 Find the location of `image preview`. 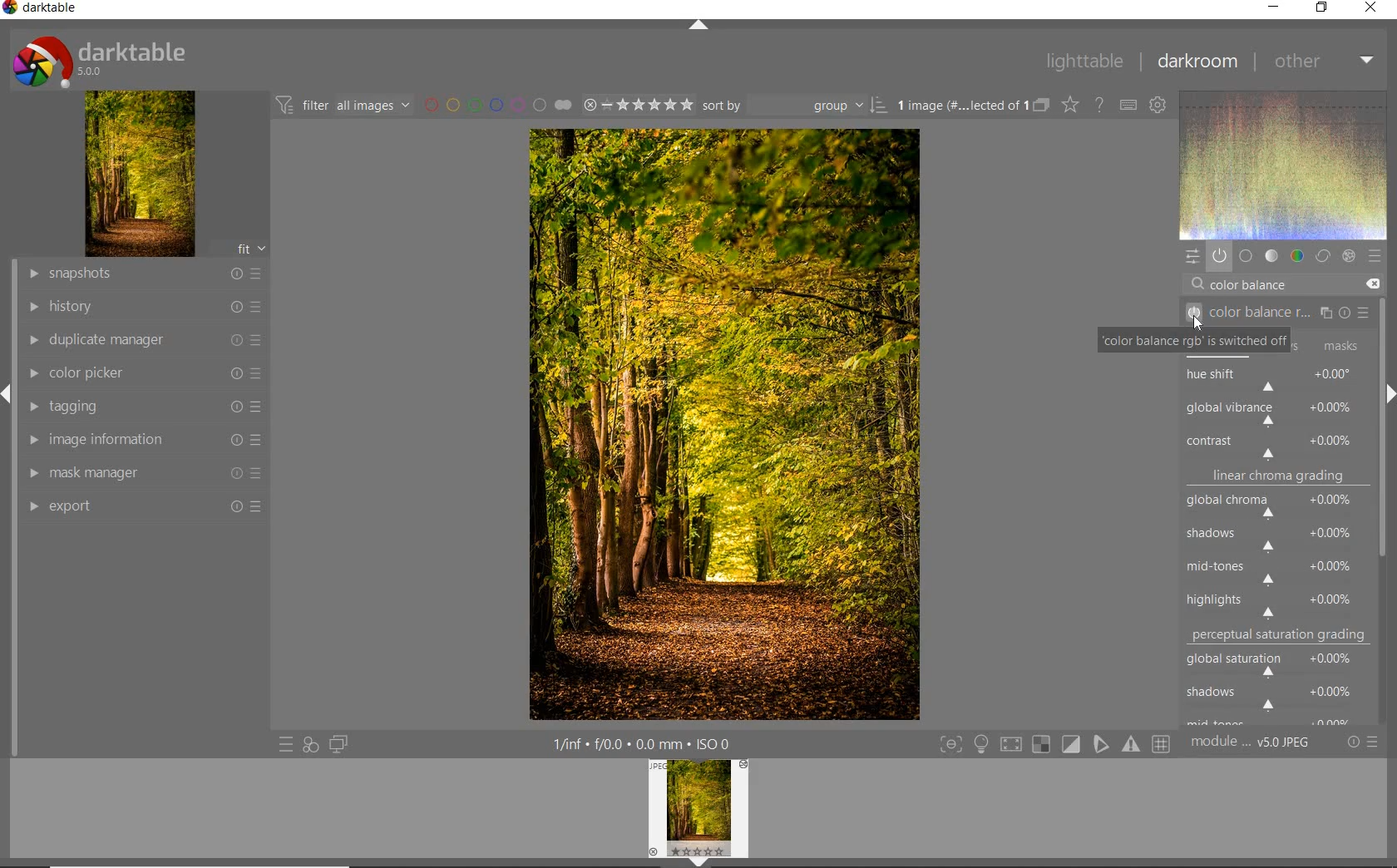

image preview is located at coordinates (698, 814).